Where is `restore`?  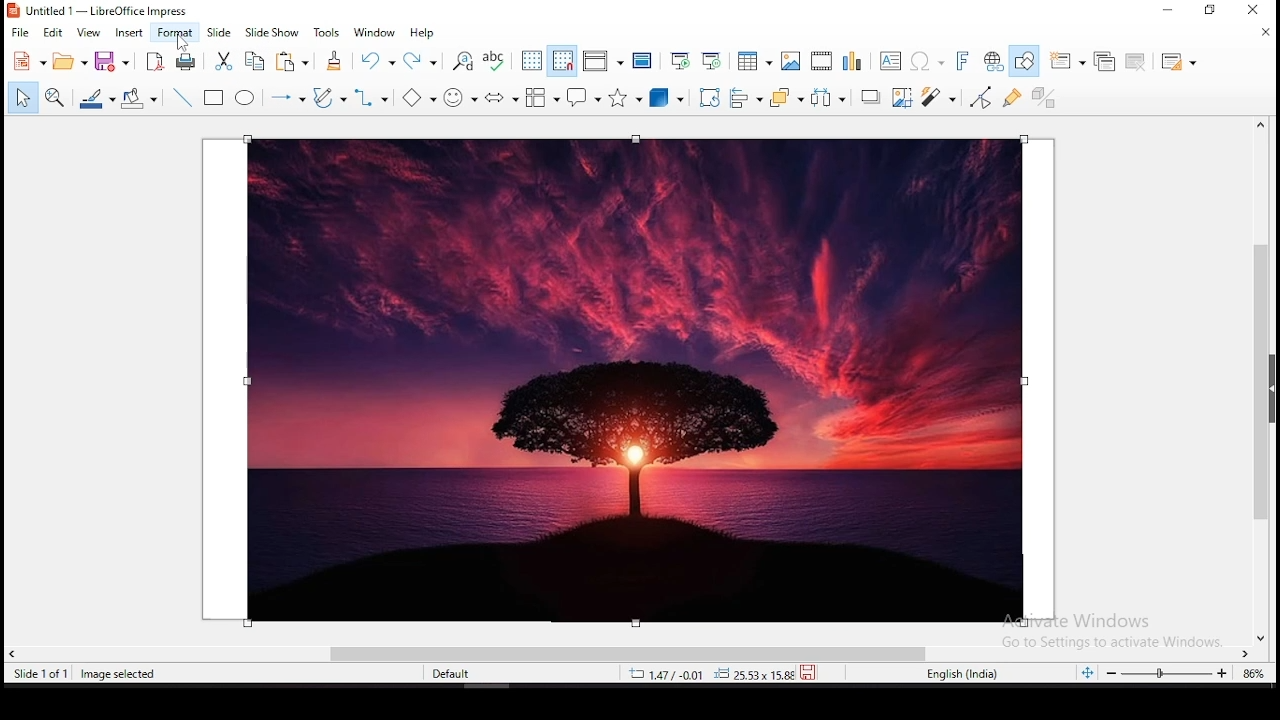
restore is located at coordinates (1212, 12).